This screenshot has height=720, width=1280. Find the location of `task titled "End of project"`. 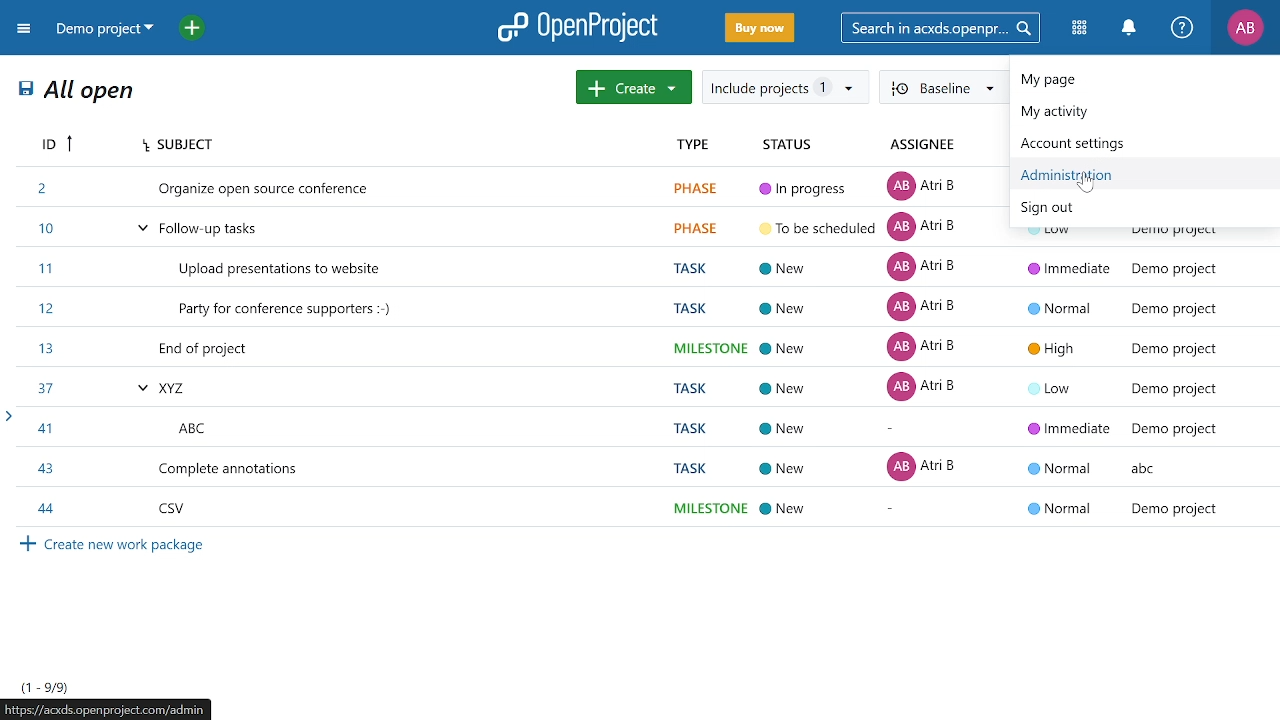

task titled "End of project" is located at coordinates (642, 348).